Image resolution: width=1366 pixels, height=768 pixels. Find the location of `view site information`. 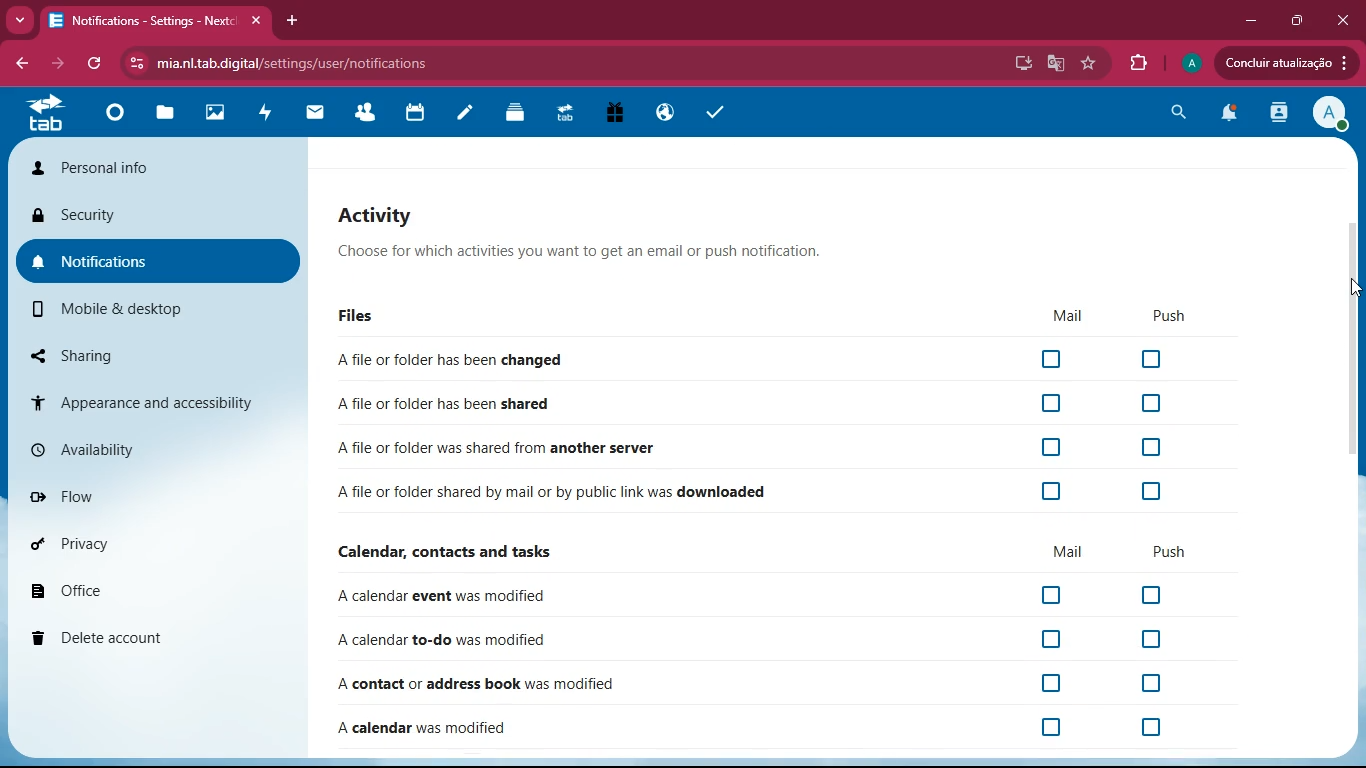

view site information is located at coordinates (133, 64).